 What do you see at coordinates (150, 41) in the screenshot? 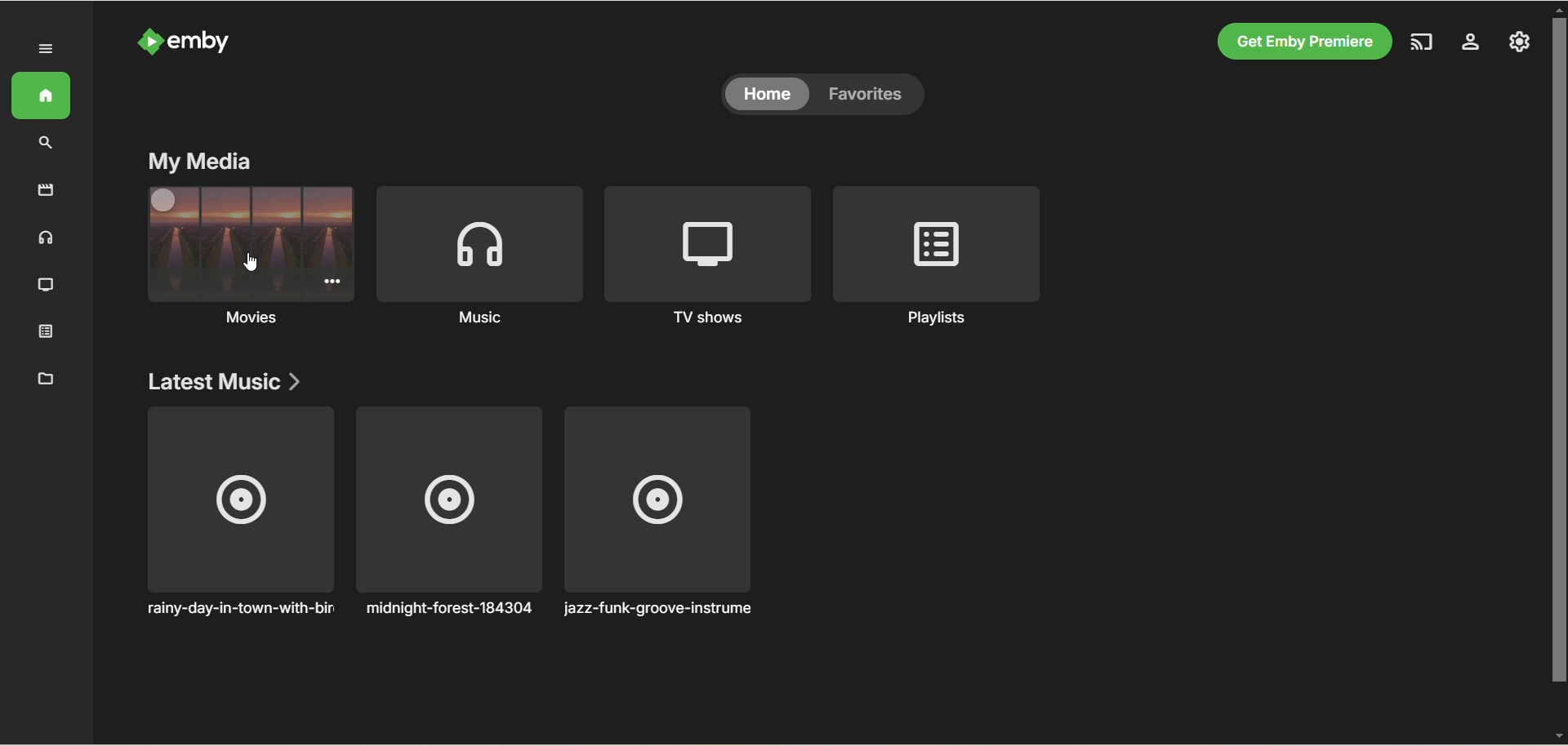
I see `Emby logo` at bounding box center [150, 41].